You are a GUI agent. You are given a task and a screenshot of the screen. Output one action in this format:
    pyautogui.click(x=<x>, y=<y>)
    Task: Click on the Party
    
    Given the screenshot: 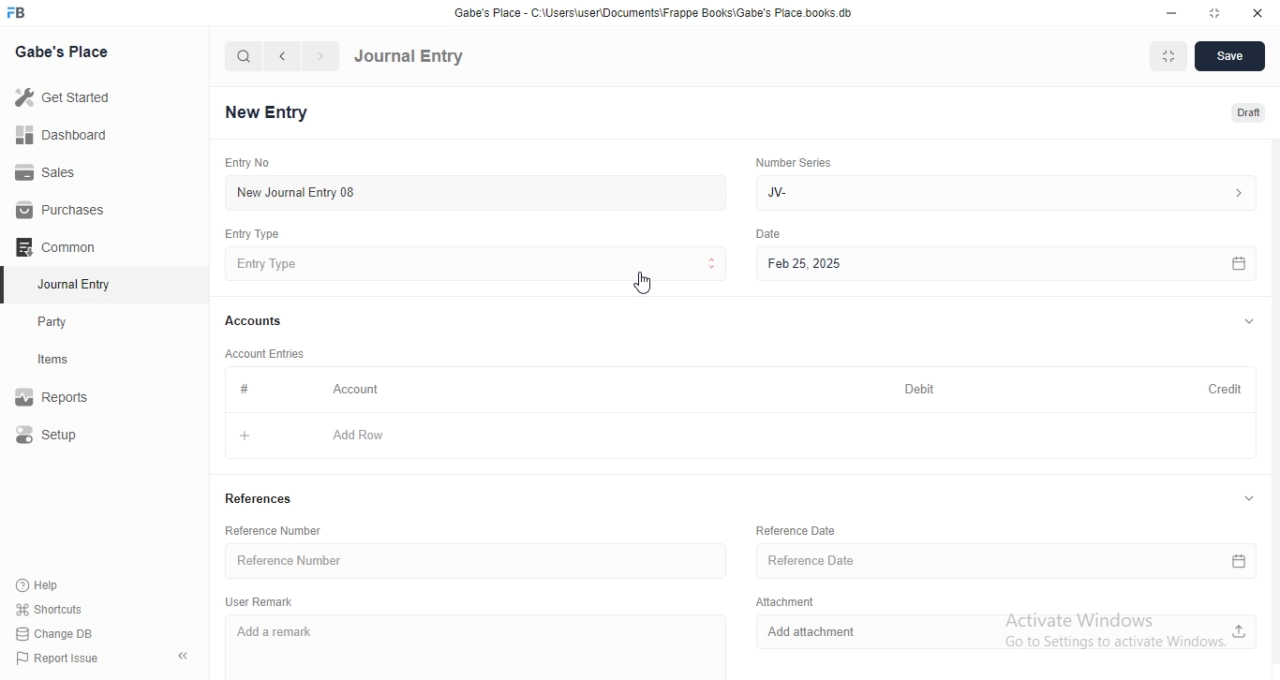 What is the action you would take?
    pyautogui.click(x=72, y=322)
    